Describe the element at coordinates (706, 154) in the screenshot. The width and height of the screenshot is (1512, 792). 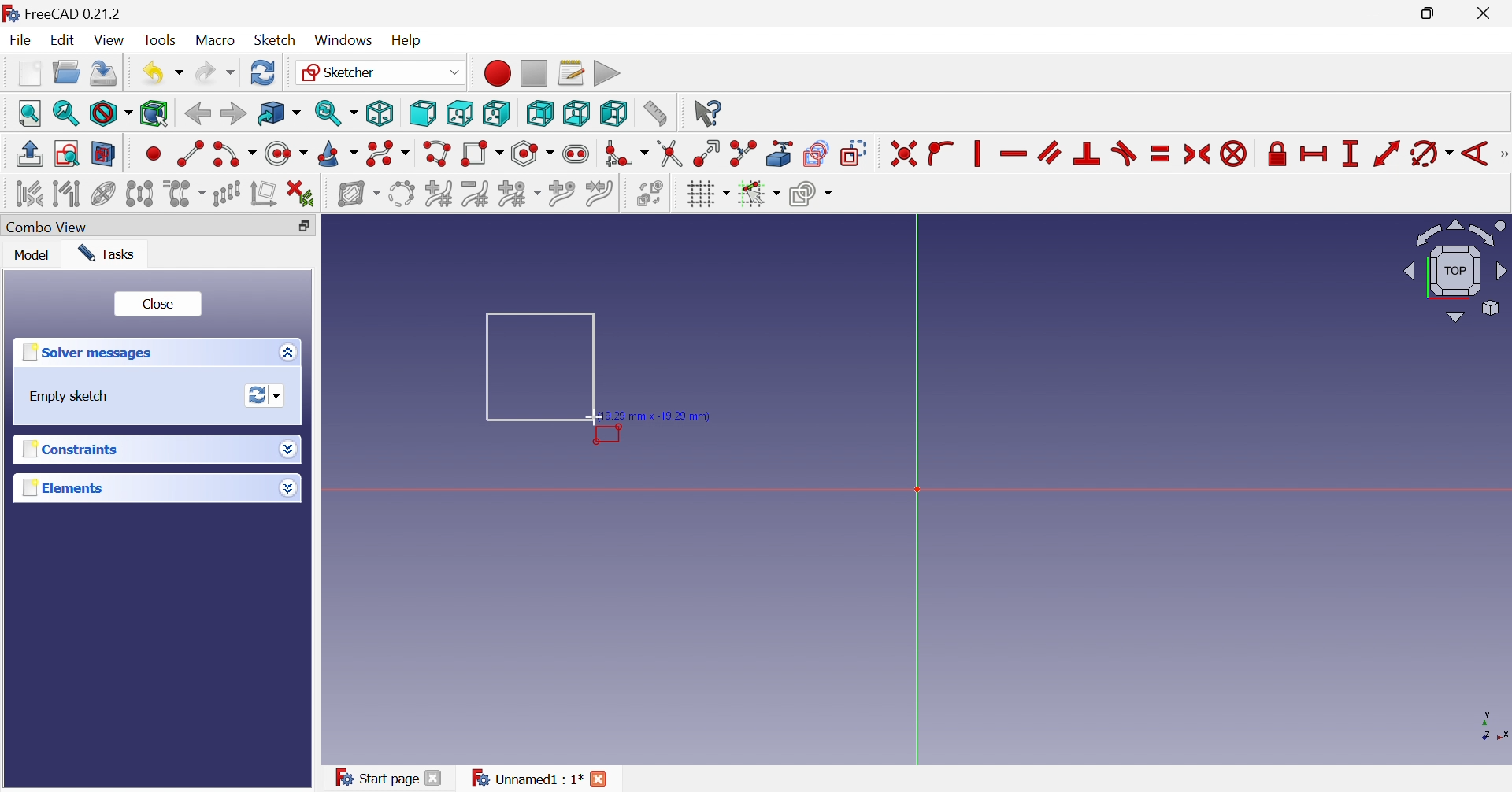
I see `Extend edge` at that location.